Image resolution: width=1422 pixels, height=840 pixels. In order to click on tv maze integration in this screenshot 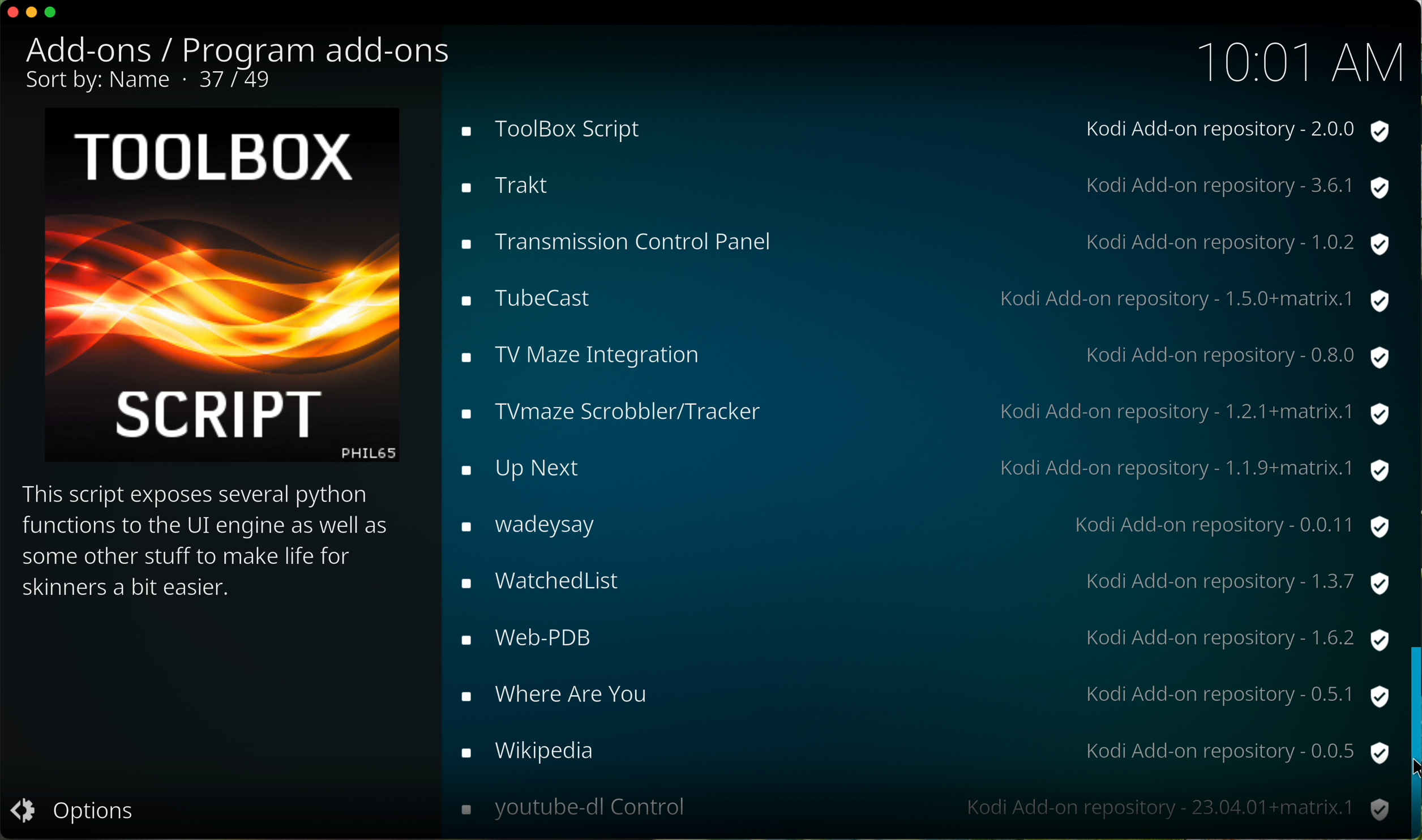, I will do `click(918, 354)`.